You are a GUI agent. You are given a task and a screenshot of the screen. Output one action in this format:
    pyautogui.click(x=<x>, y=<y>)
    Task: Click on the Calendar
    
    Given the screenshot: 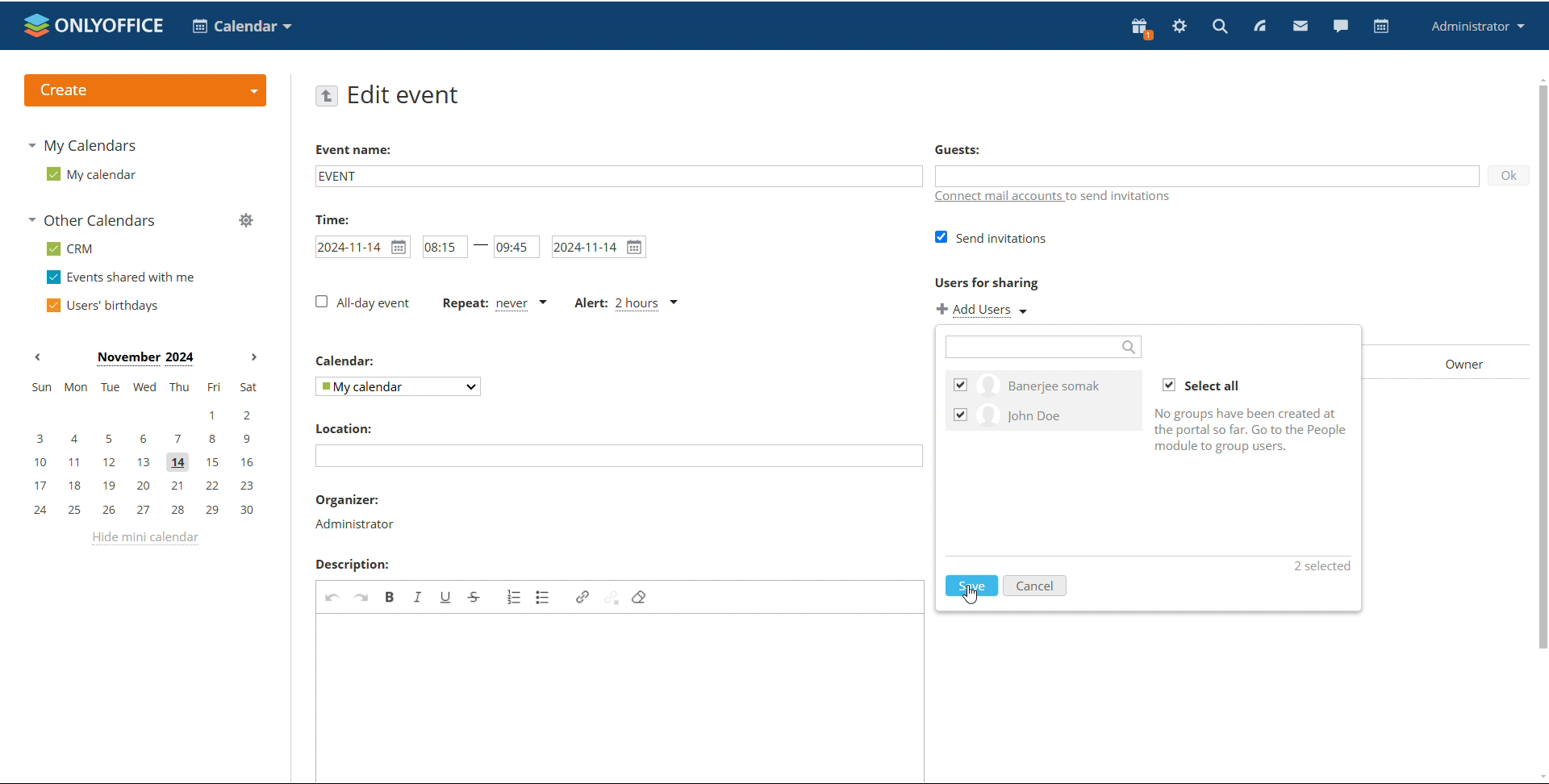 What is the action you would take?
    pyautogui.click(x=347, y=360)
    